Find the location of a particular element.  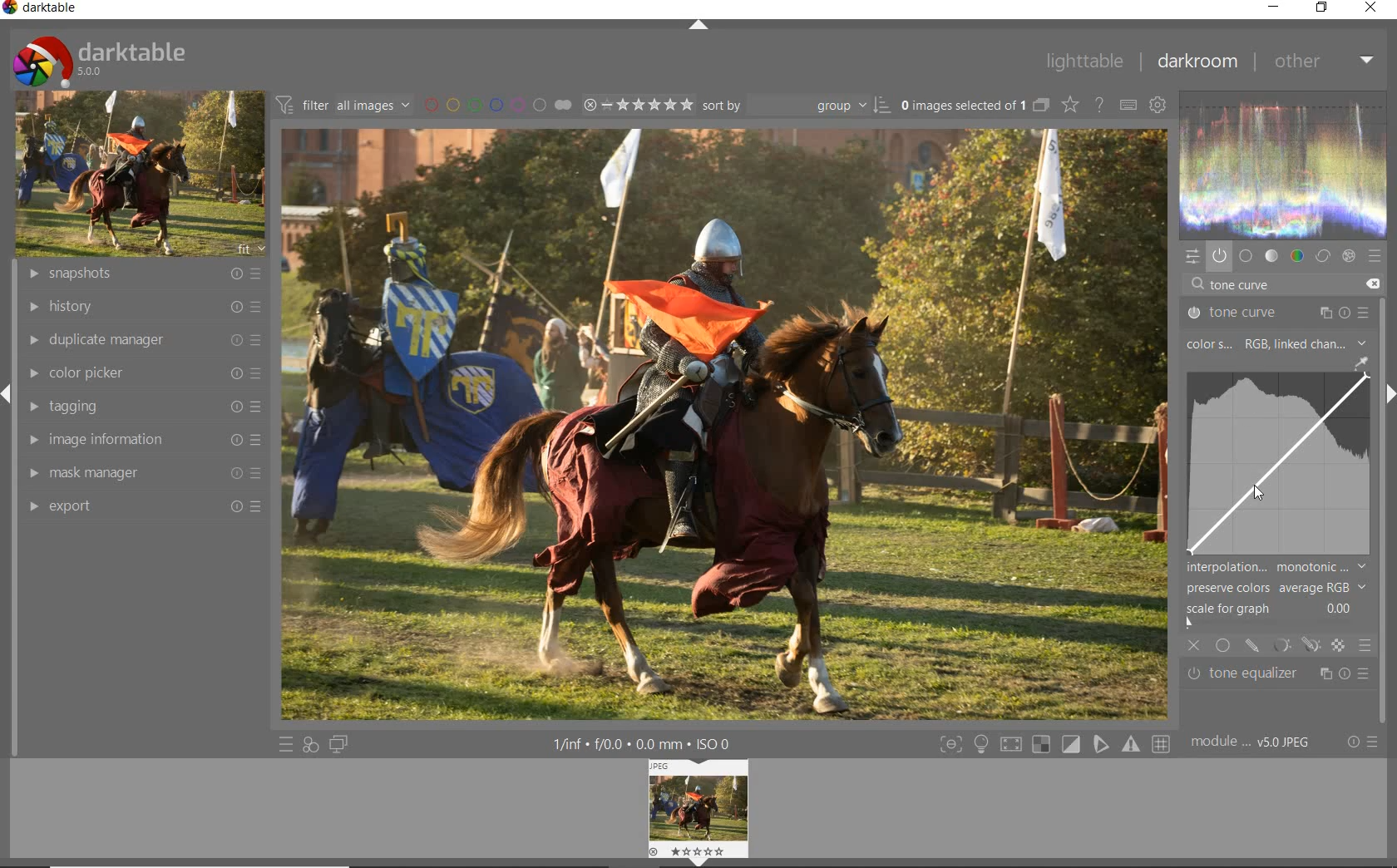

quick access to presets is located at coordinates (286, 745).